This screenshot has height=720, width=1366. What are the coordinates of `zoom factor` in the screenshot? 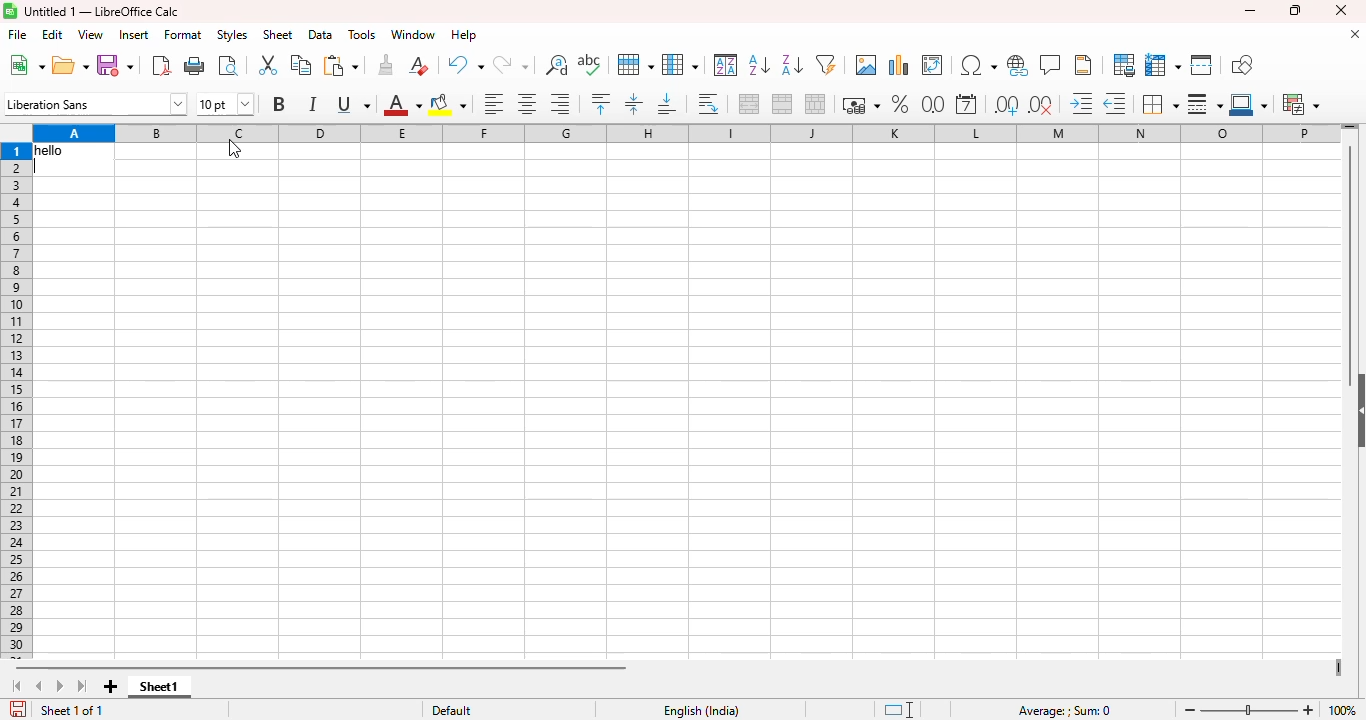 It's located at (1342, 711).